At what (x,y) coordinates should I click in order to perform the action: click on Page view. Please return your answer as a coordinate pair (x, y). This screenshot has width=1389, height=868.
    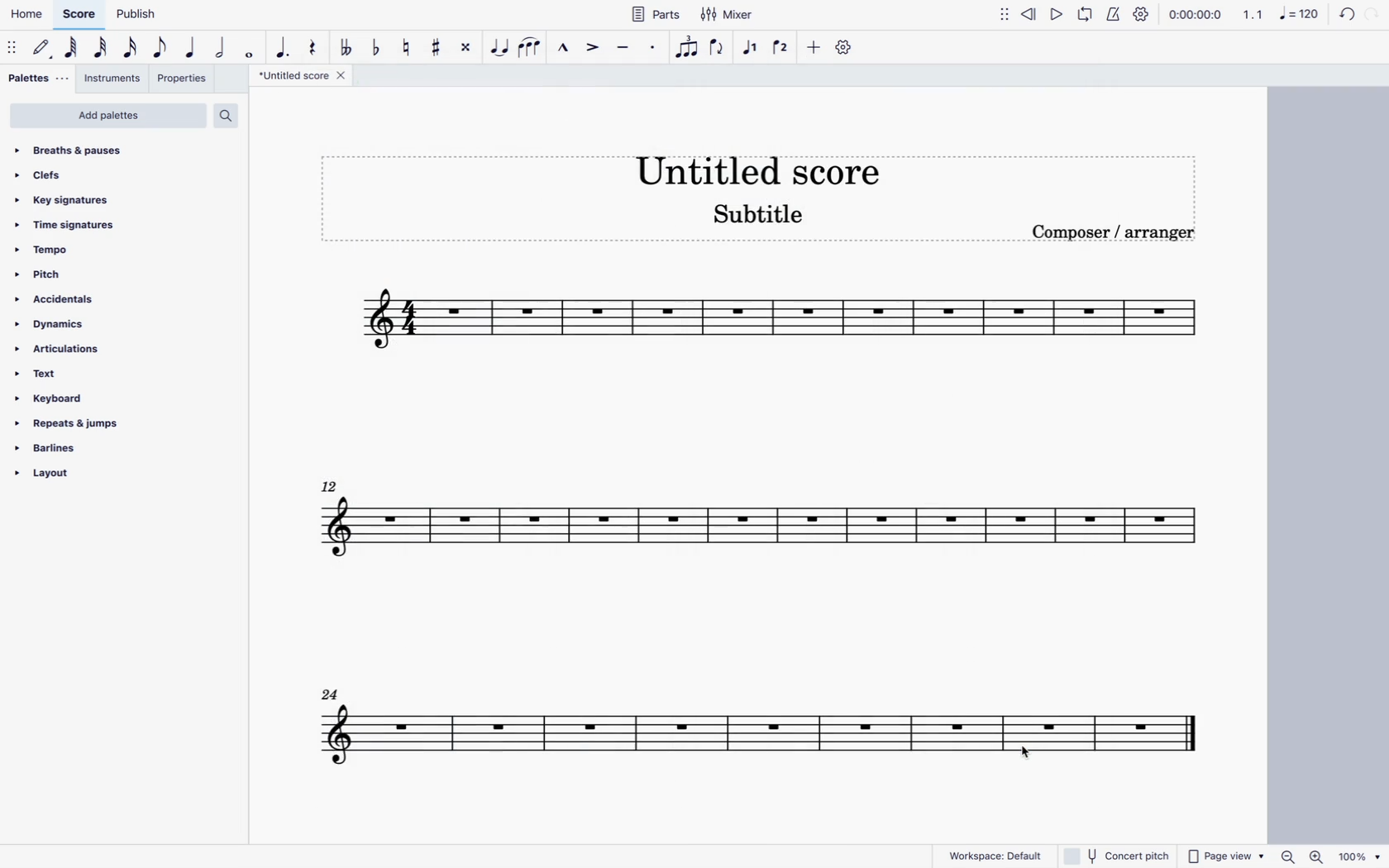
    Looking at the image, I should click on (1227, 856).